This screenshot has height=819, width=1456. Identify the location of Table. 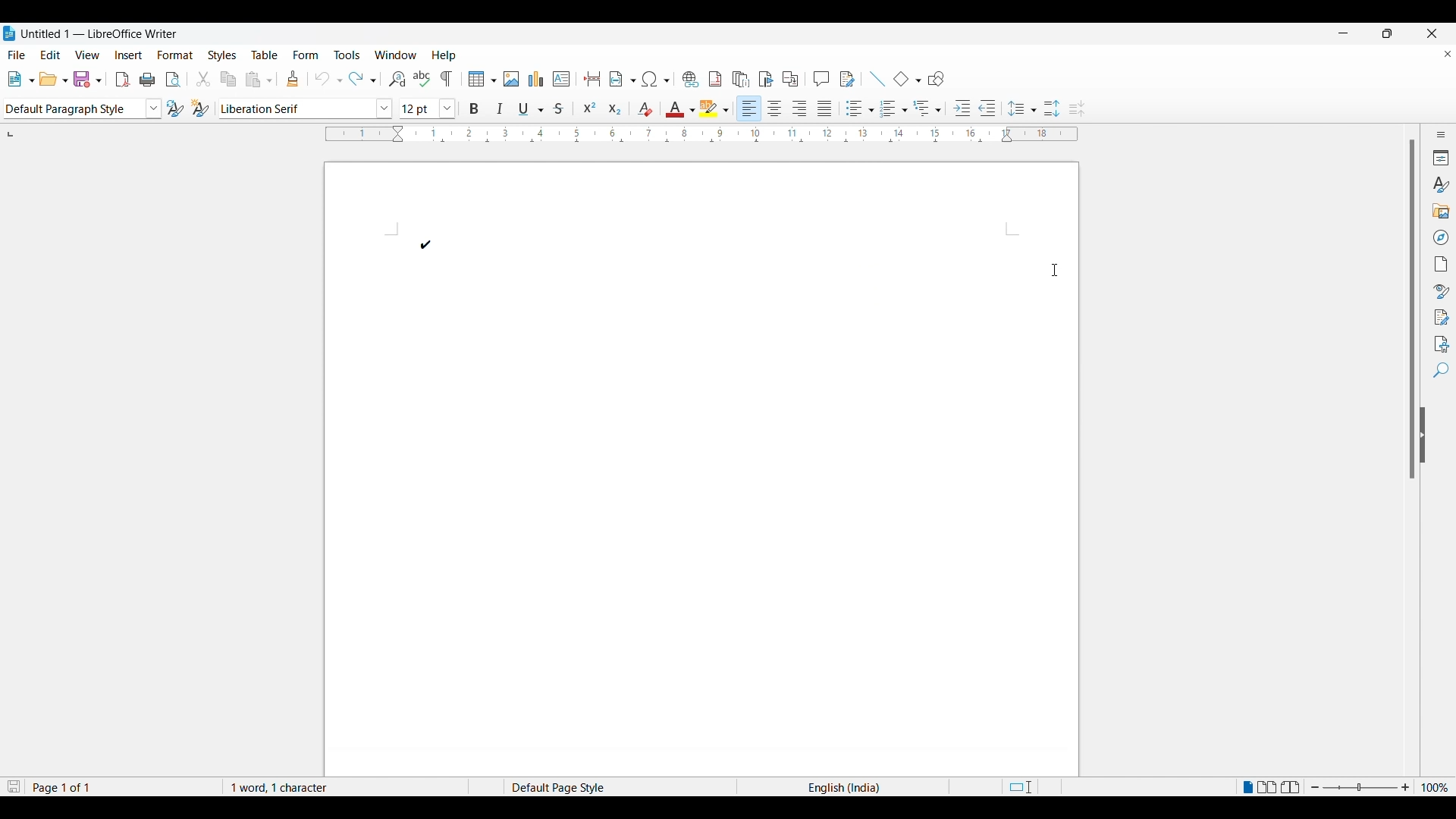
(266, 53).